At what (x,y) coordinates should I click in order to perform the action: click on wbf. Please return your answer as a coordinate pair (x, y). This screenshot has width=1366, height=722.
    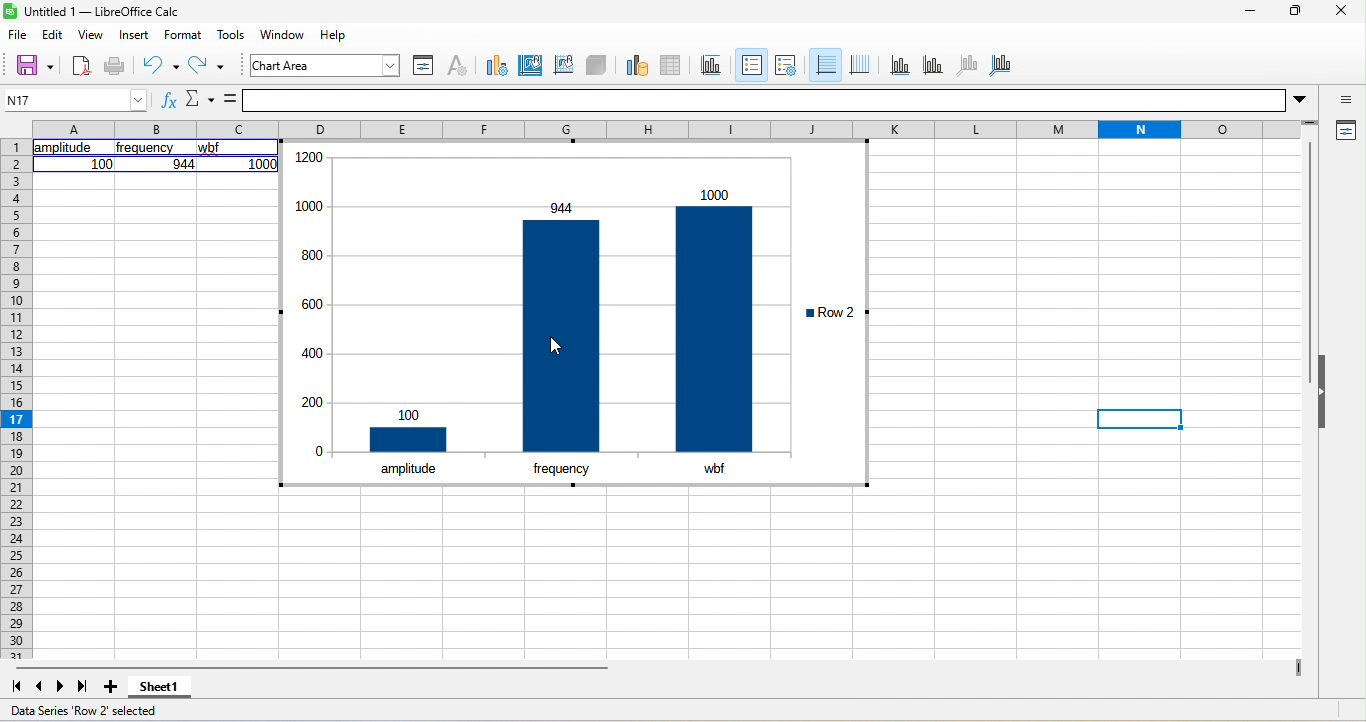
    Looking at the image, I should click on (712, 468).